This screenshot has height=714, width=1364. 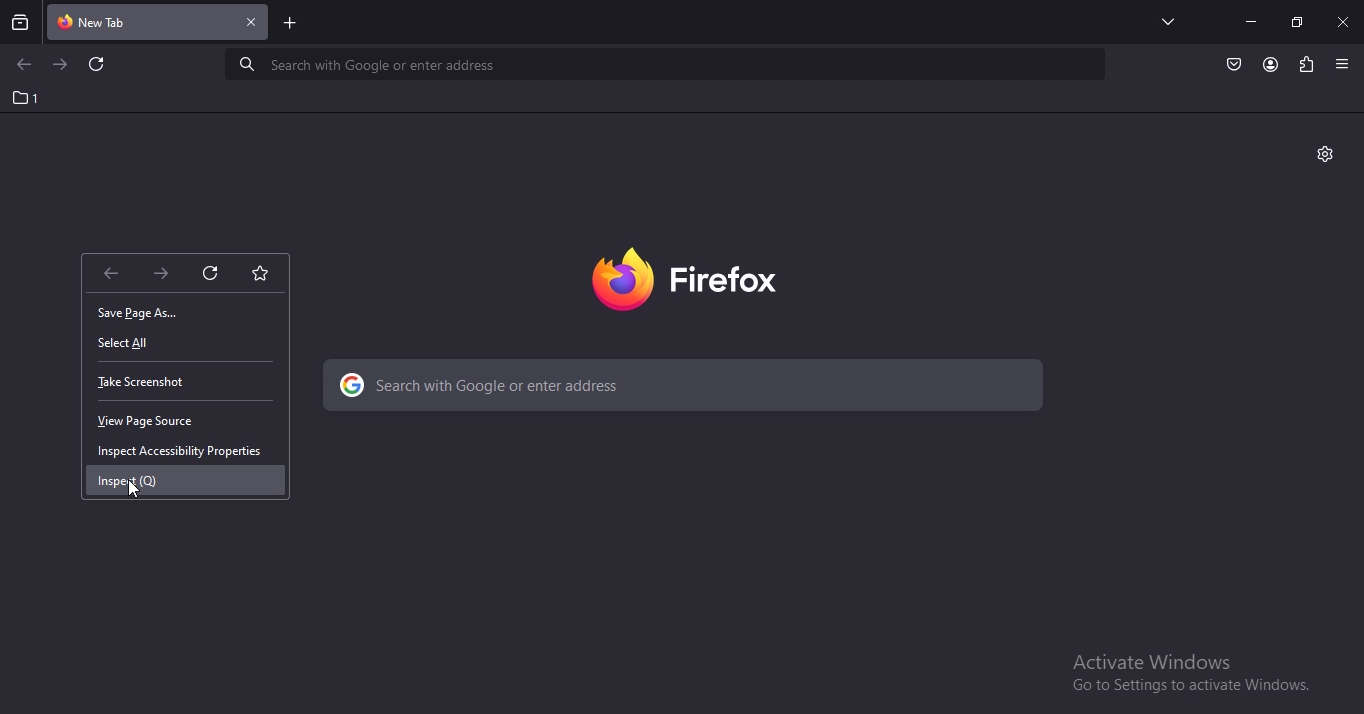 I want to click on bookmark this page, so click(x=263, y=270).